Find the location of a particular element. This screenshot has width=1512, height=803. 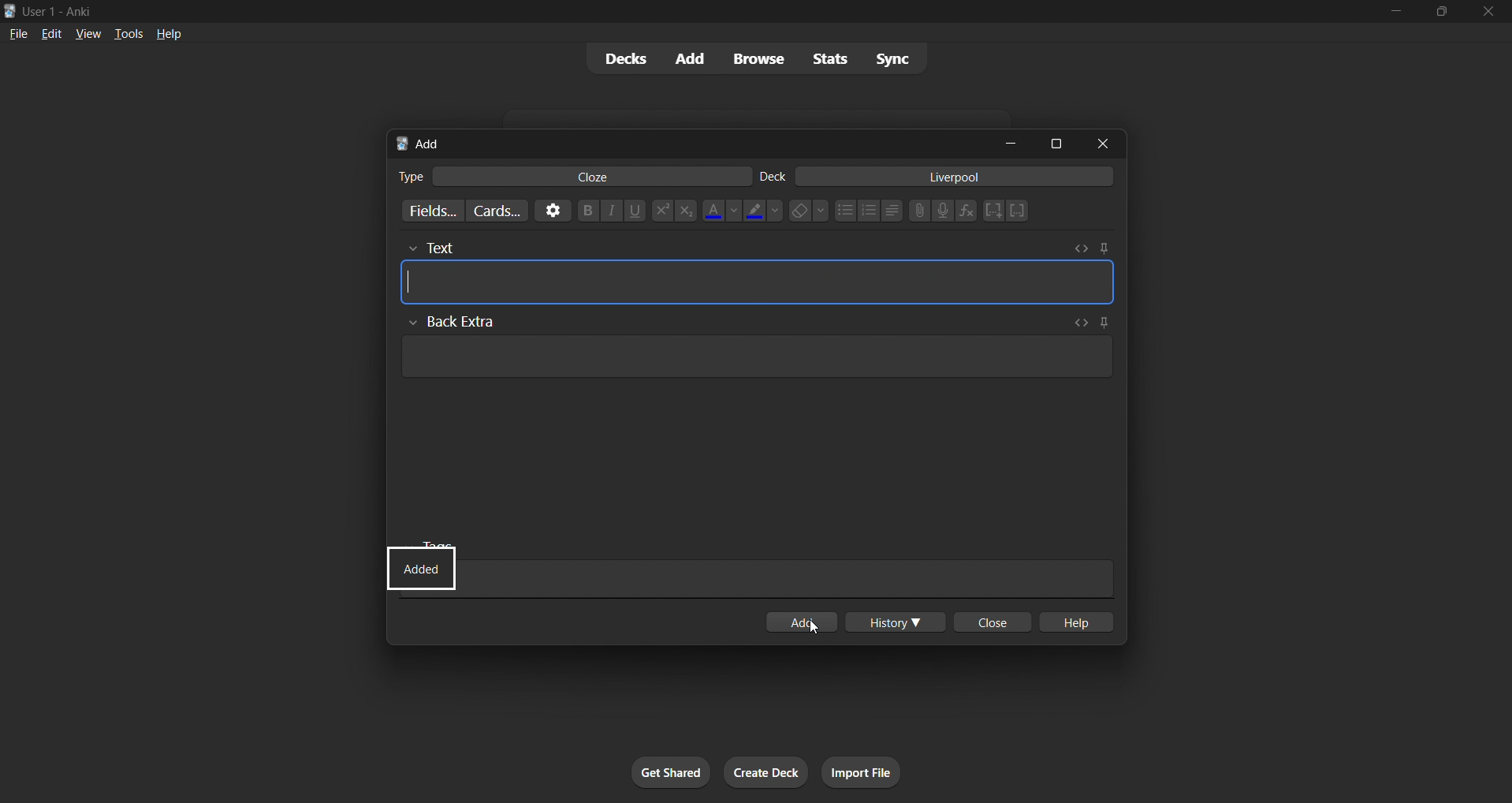

help is located at coordinates (1074, 622).